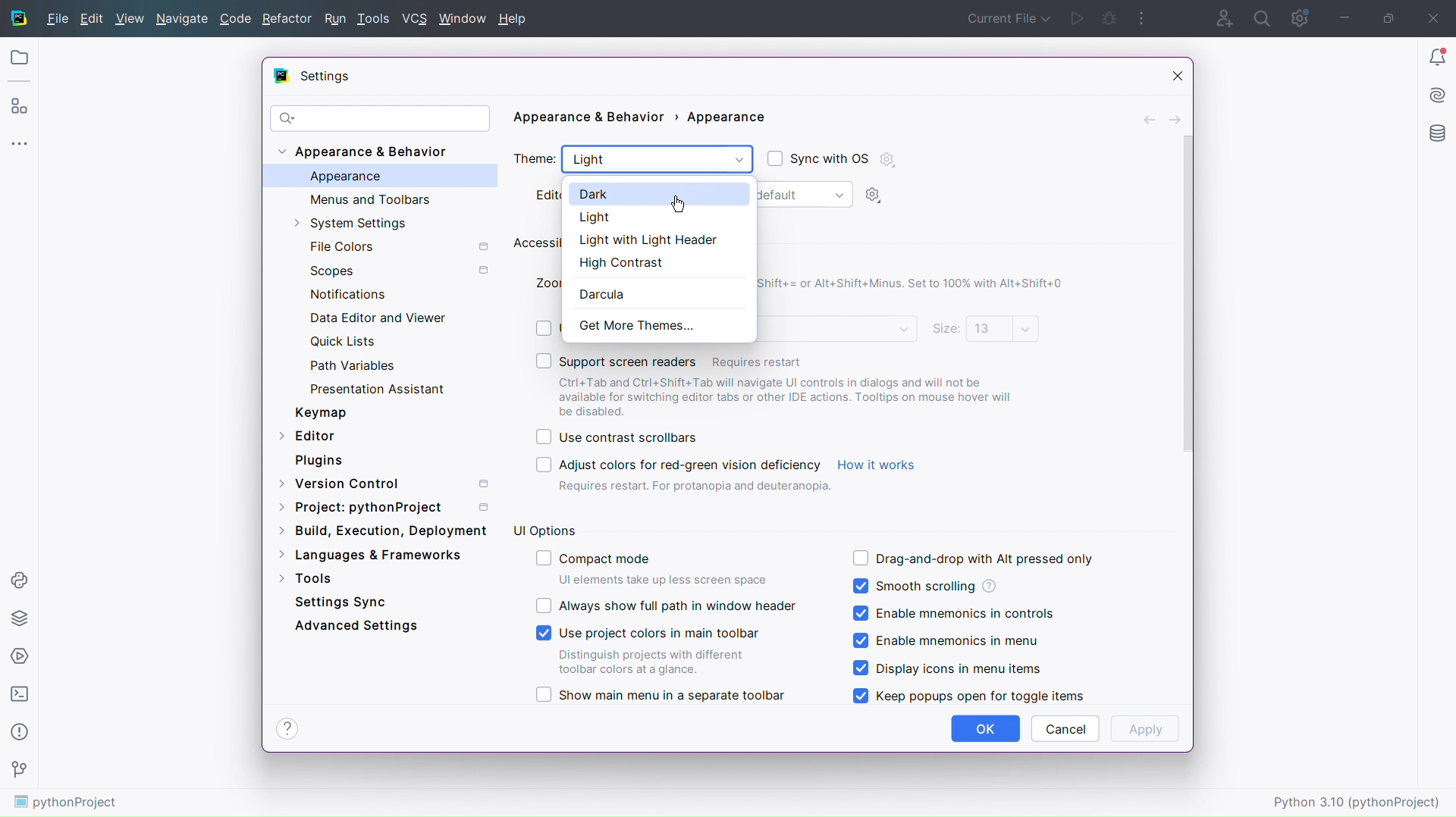 This screenshot has height=817, width=1456. What do you see at coordinates (340, 602) in the screenshot?
I see `Settings Sync` at bounding box center [340, 602].